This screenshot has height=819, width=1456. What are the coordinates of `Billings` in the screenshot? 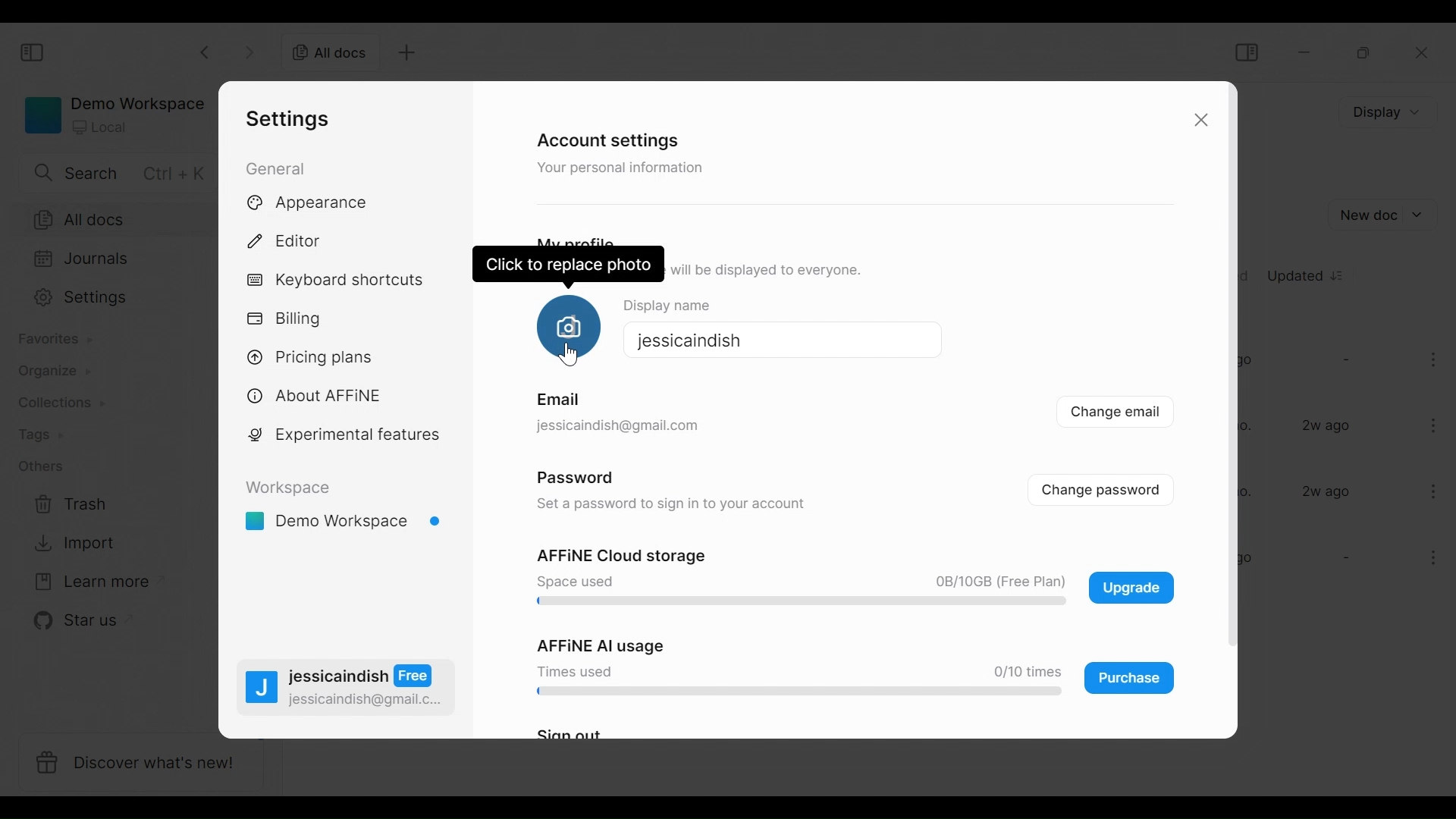 It's located at (289, 318).